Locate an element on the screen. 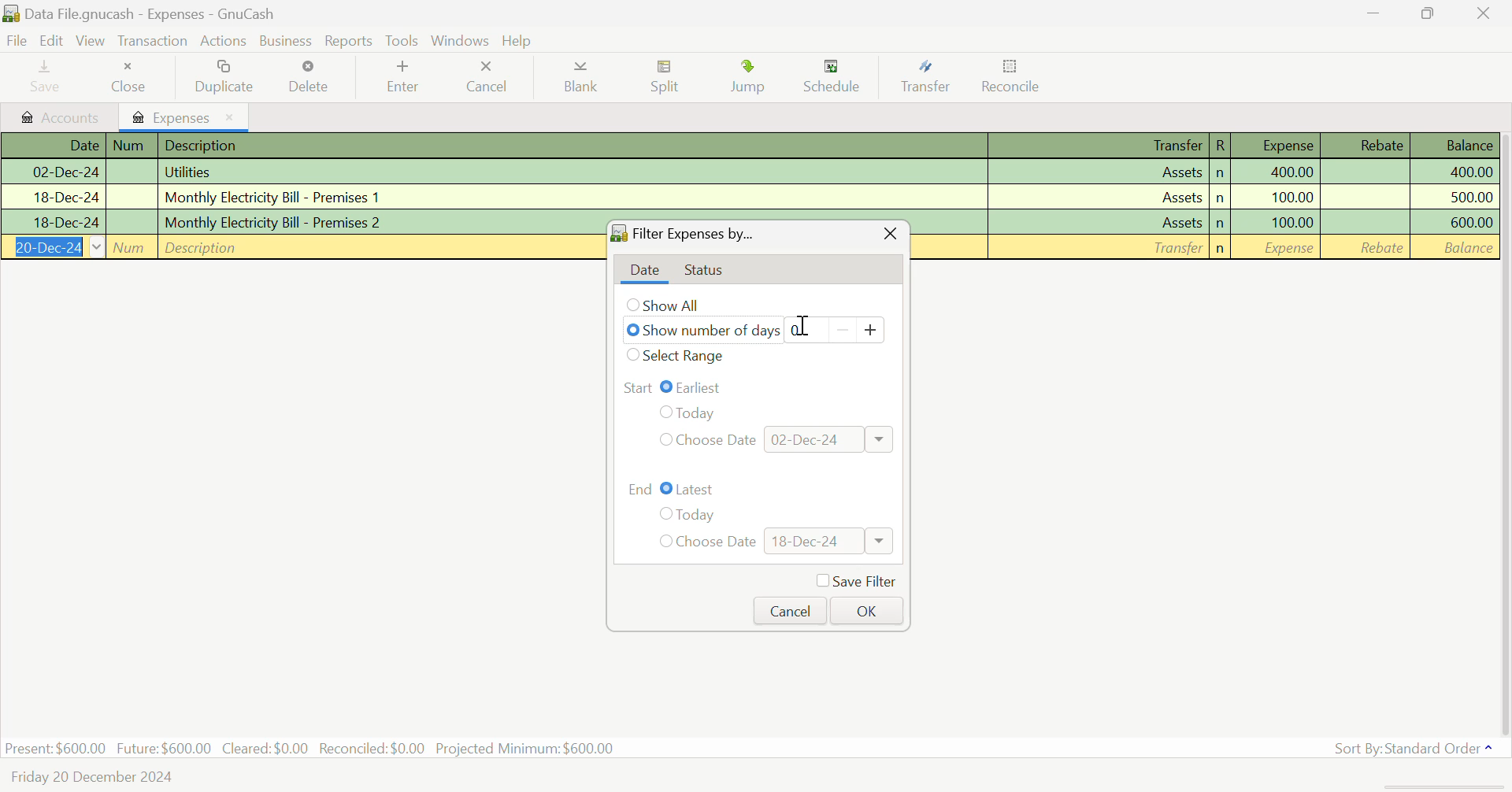  Balance is located at coordinates (1451, 147).